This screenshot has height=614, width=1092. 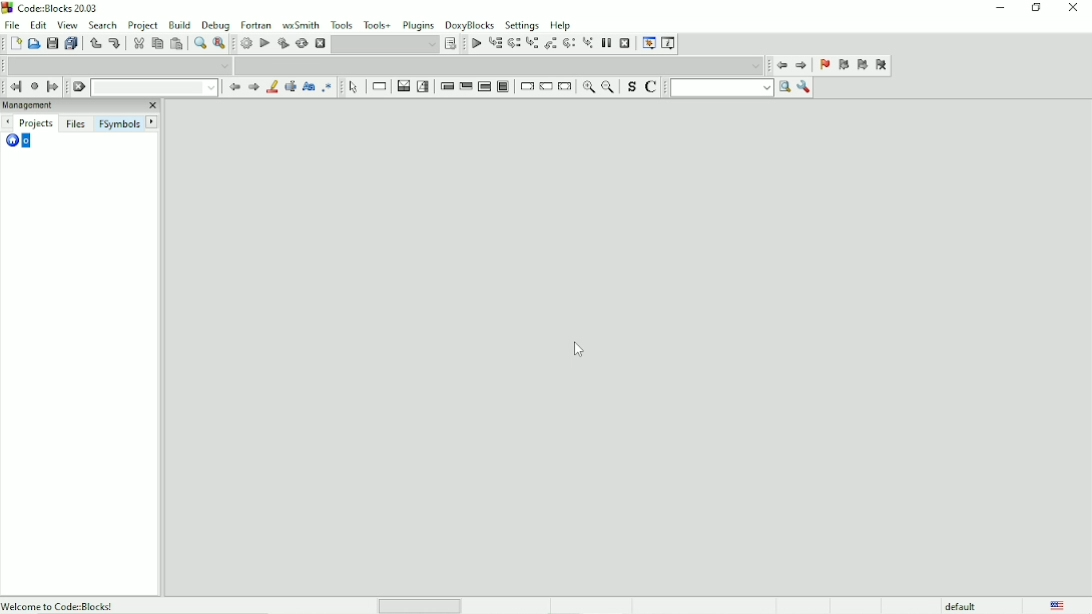 I want to click on Abort, so click(x=320, y=42).